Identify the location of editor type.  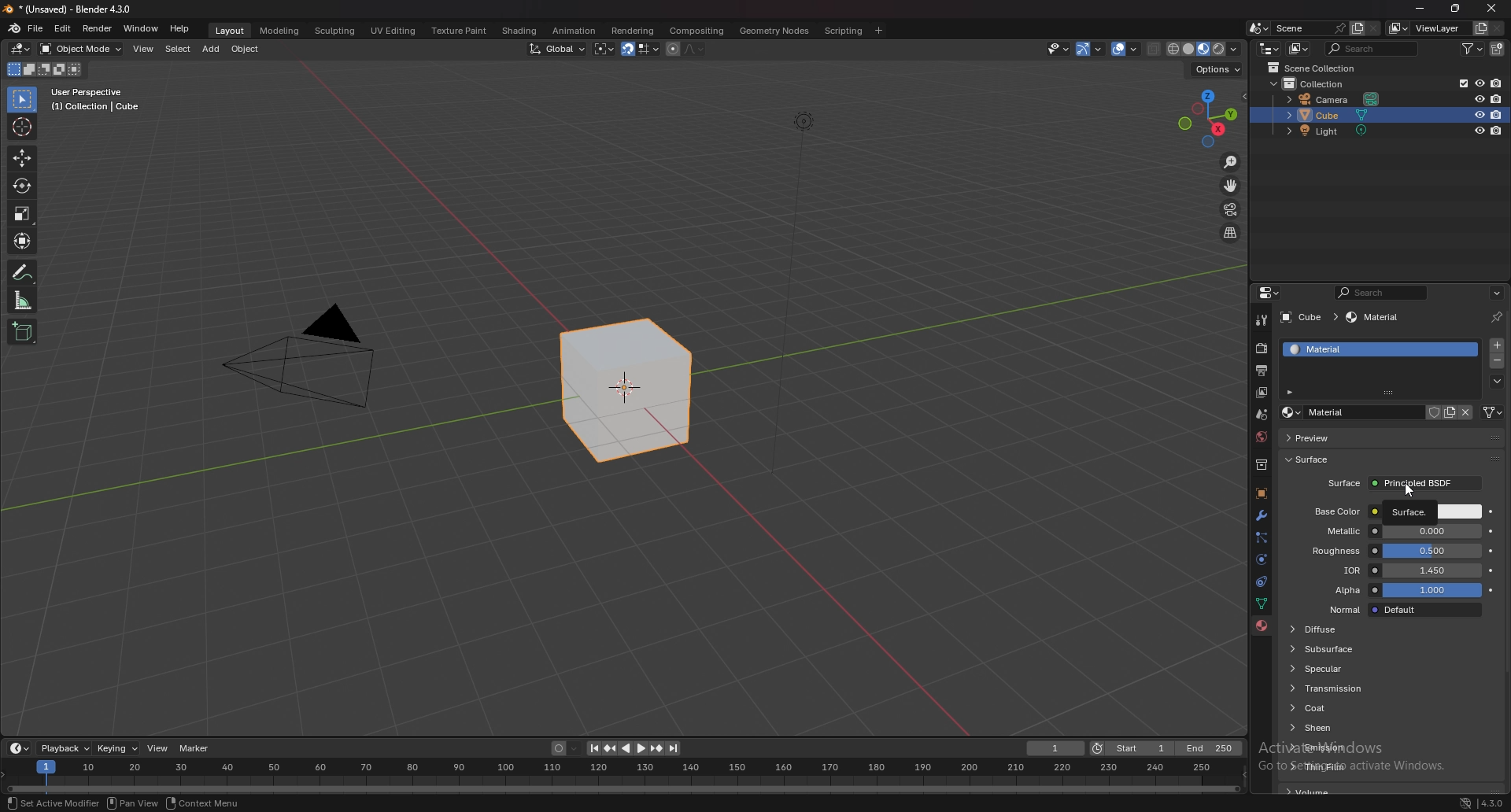
(1269, 293).